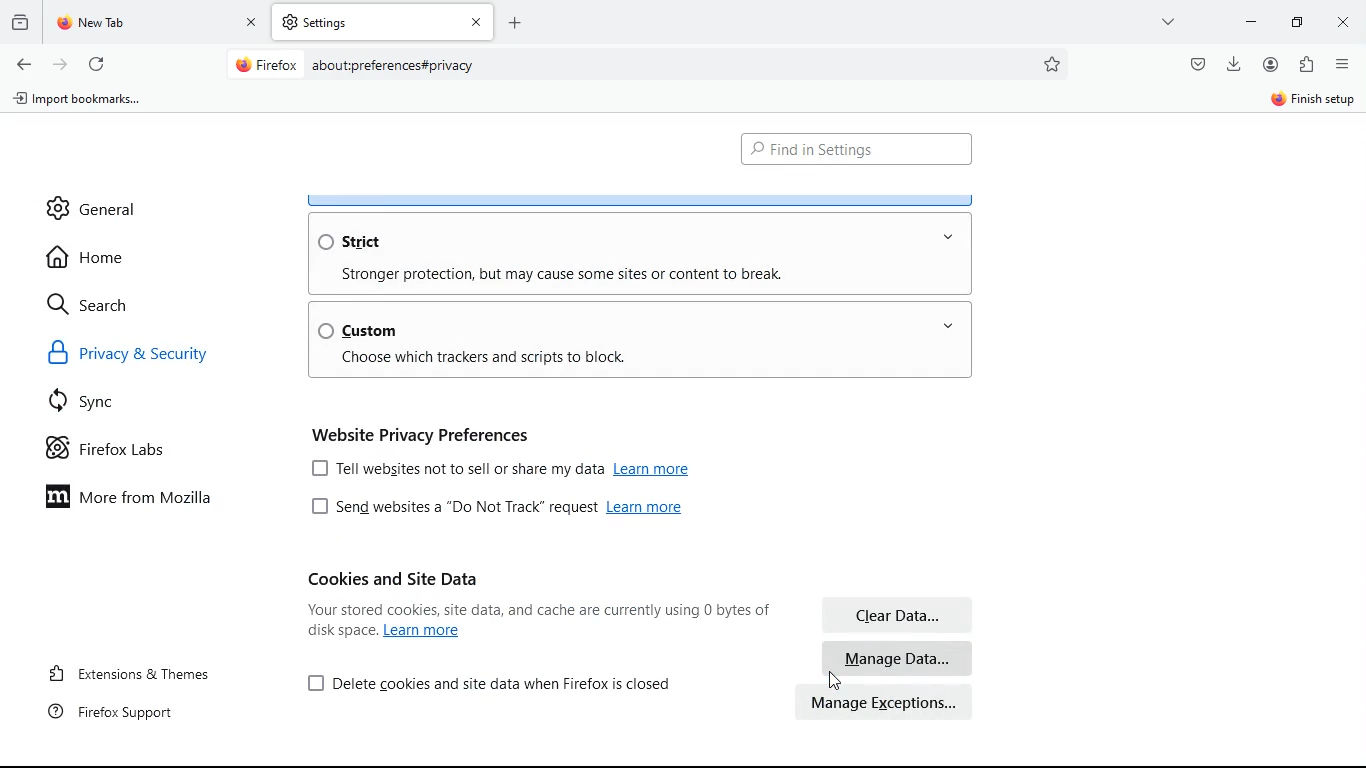 The image size is (1366, 768). What do you see at coordinates (952, 238) in the screenshot?
I see `open` at bounding box center [952, 238].